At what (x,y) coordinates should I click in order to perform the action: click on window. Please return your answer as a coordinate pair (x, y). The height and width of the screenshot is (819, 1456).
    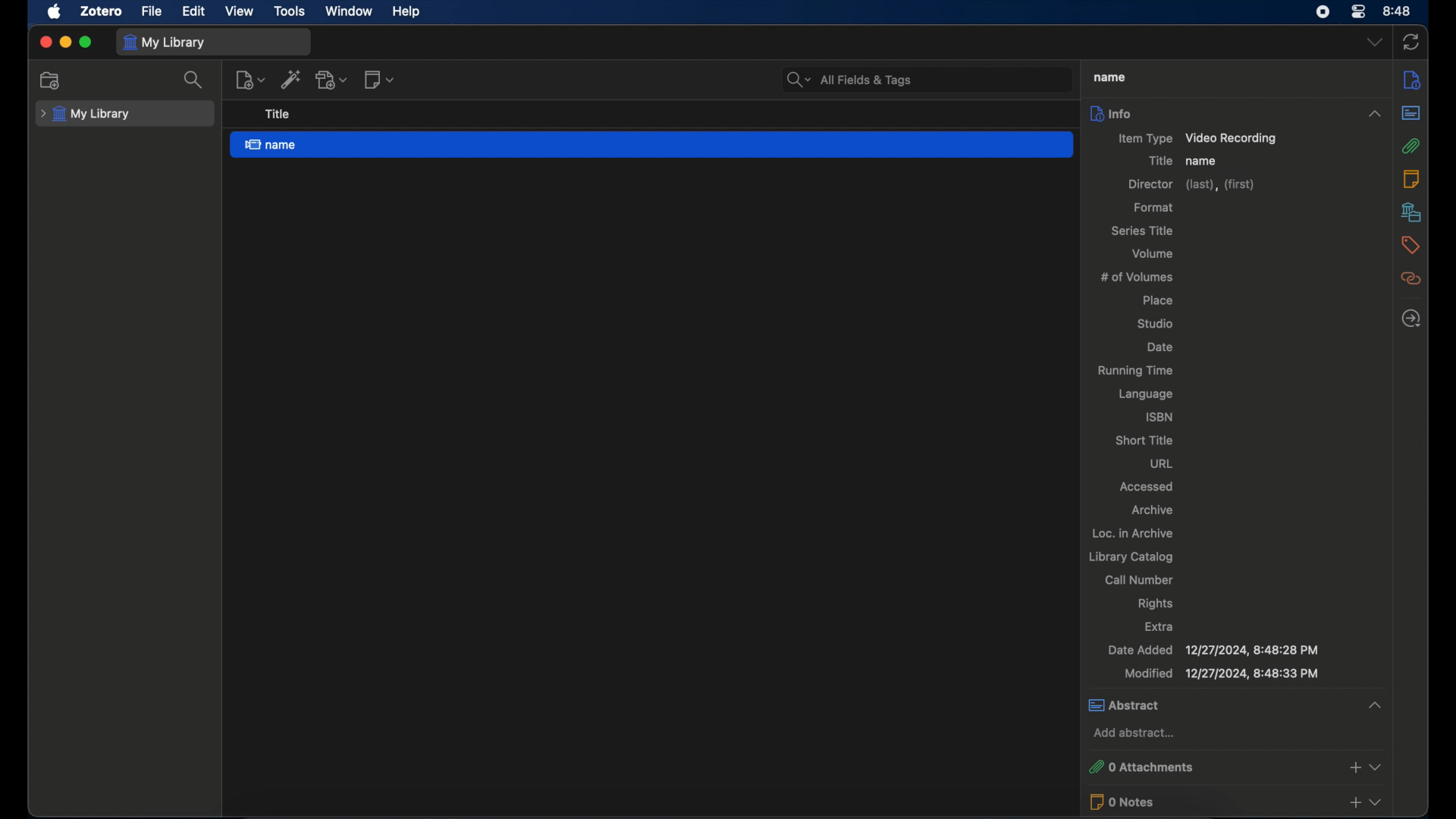
    Looking at the image, I should click on (349, 11).